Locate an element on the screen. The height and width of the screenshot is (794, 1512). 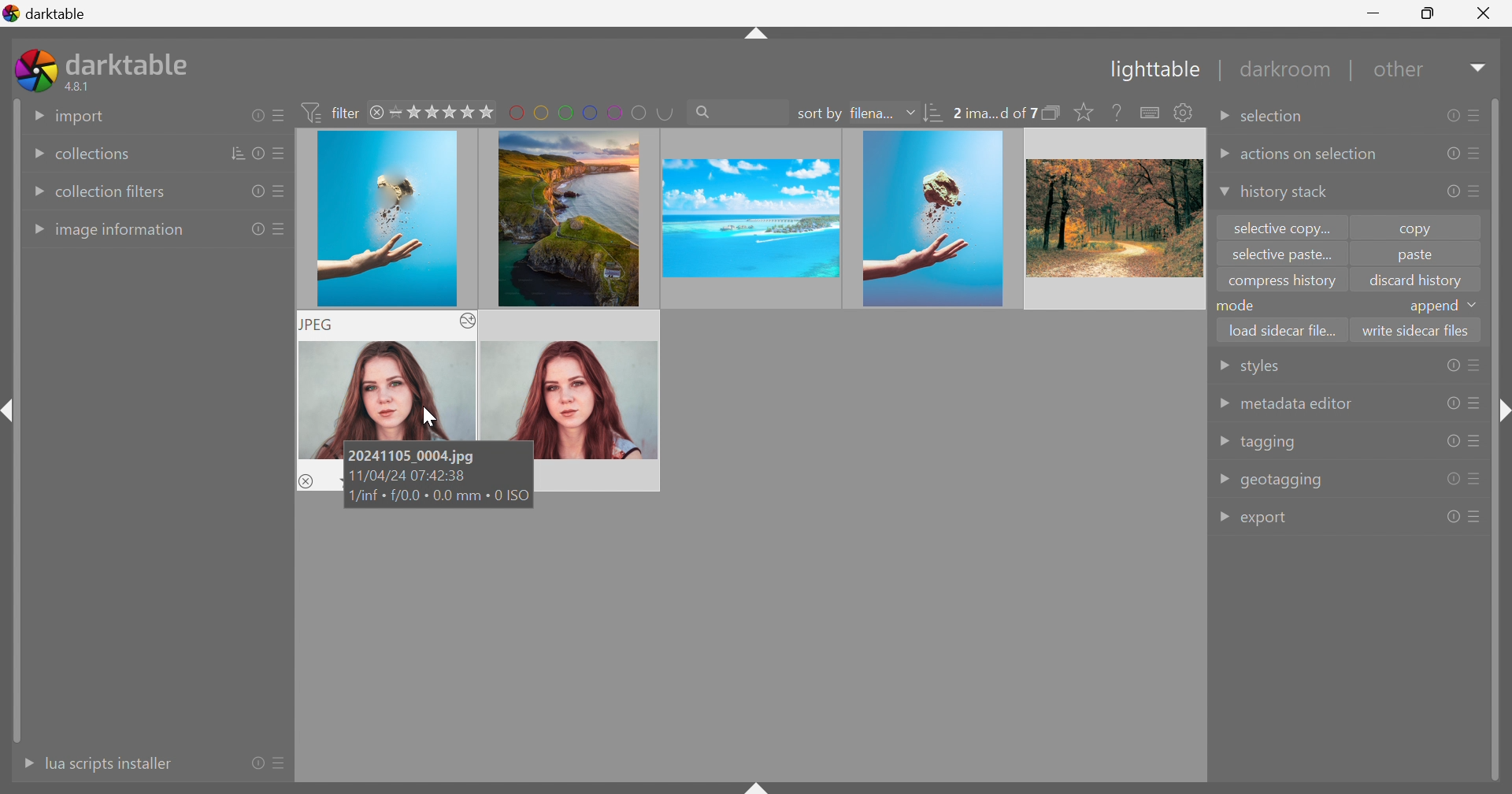
sort is located at coordinates (239, 153).